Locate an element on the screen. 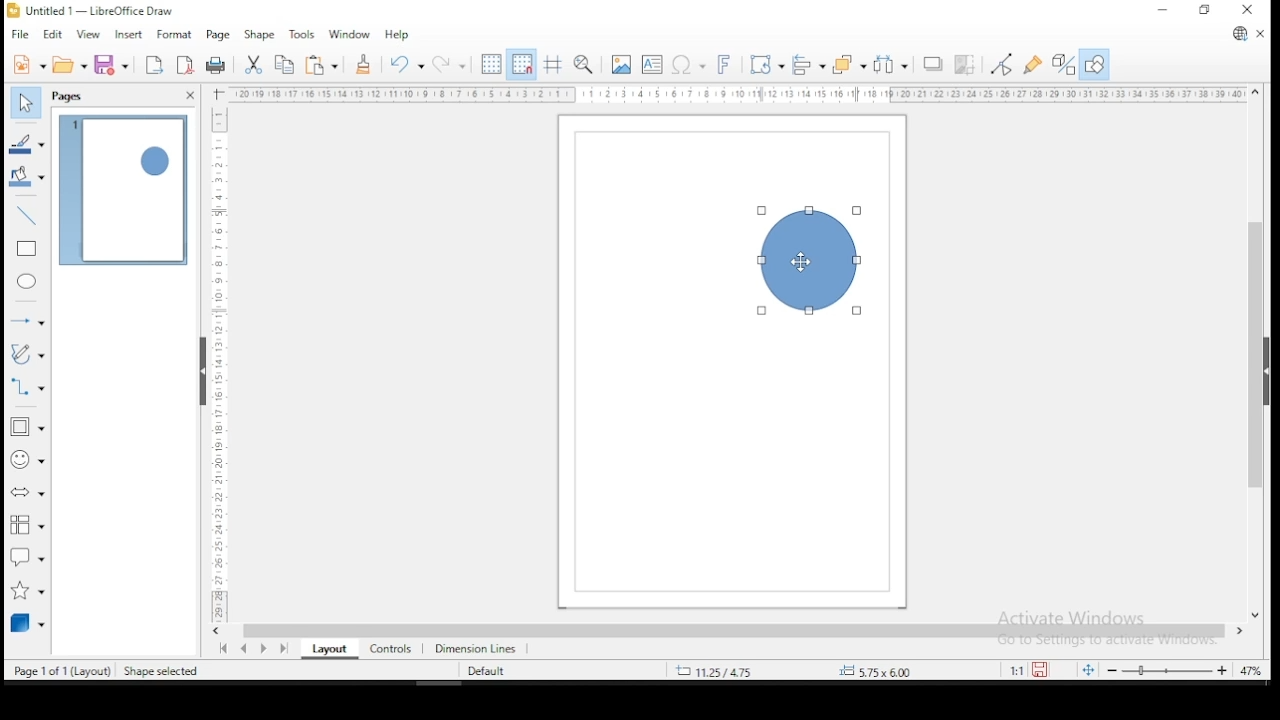  save is located at coordinates (111, 64).